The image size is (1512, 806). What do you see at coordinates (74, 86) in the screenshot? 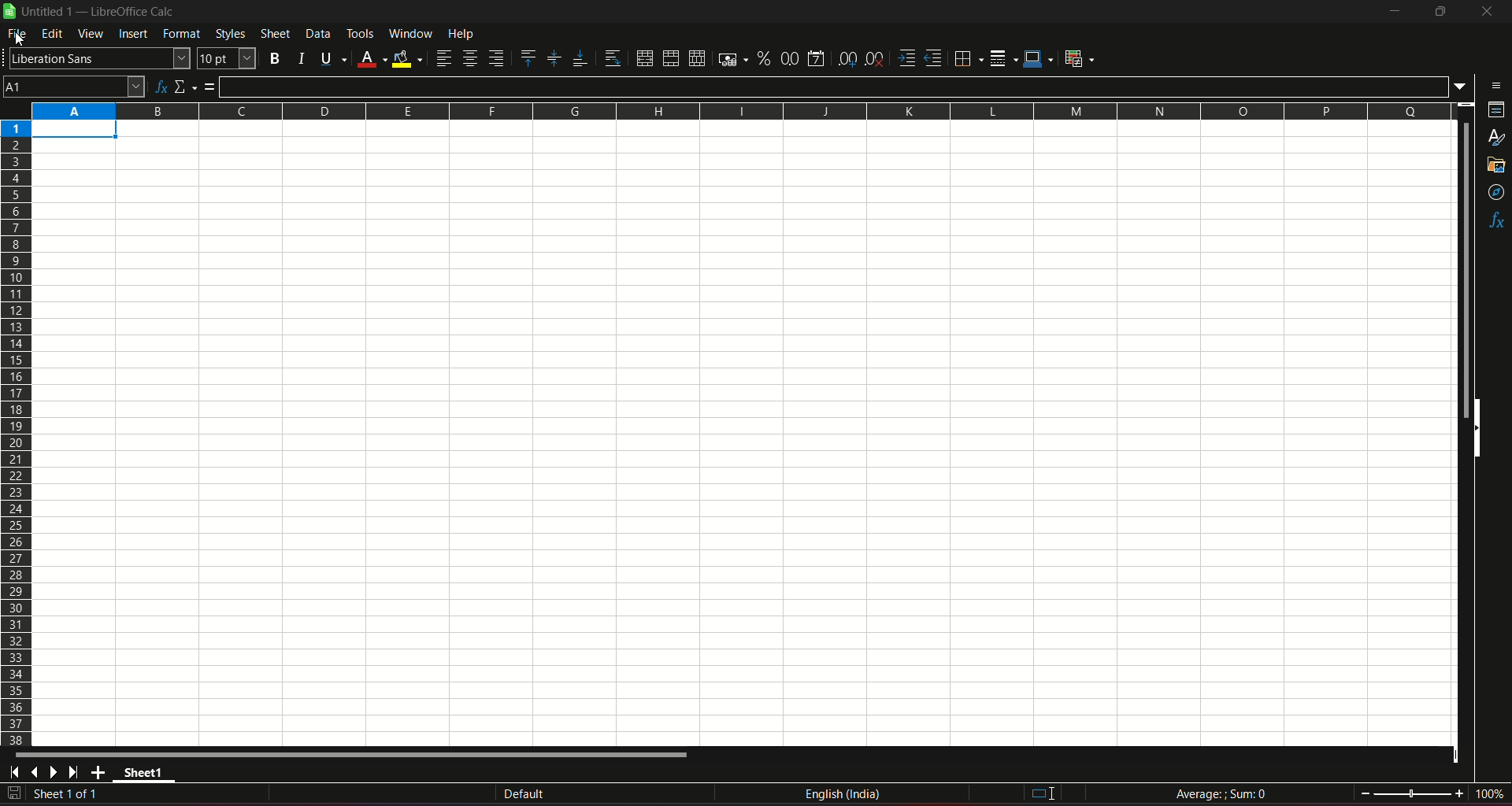
I see `name box` at bounding box center [74, 86].